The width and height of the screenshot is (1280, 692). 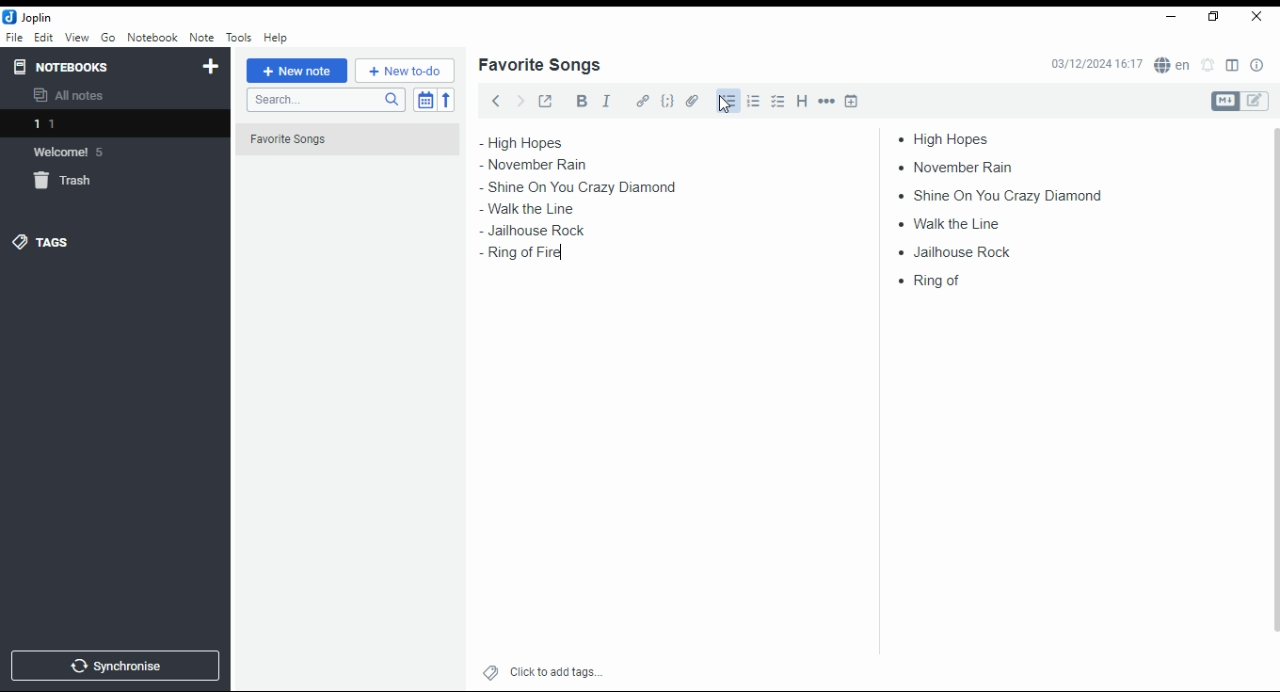 What do you see at coordinates (110, 40) in the screenshot?
I see `go` at bounding box center [110, 40].